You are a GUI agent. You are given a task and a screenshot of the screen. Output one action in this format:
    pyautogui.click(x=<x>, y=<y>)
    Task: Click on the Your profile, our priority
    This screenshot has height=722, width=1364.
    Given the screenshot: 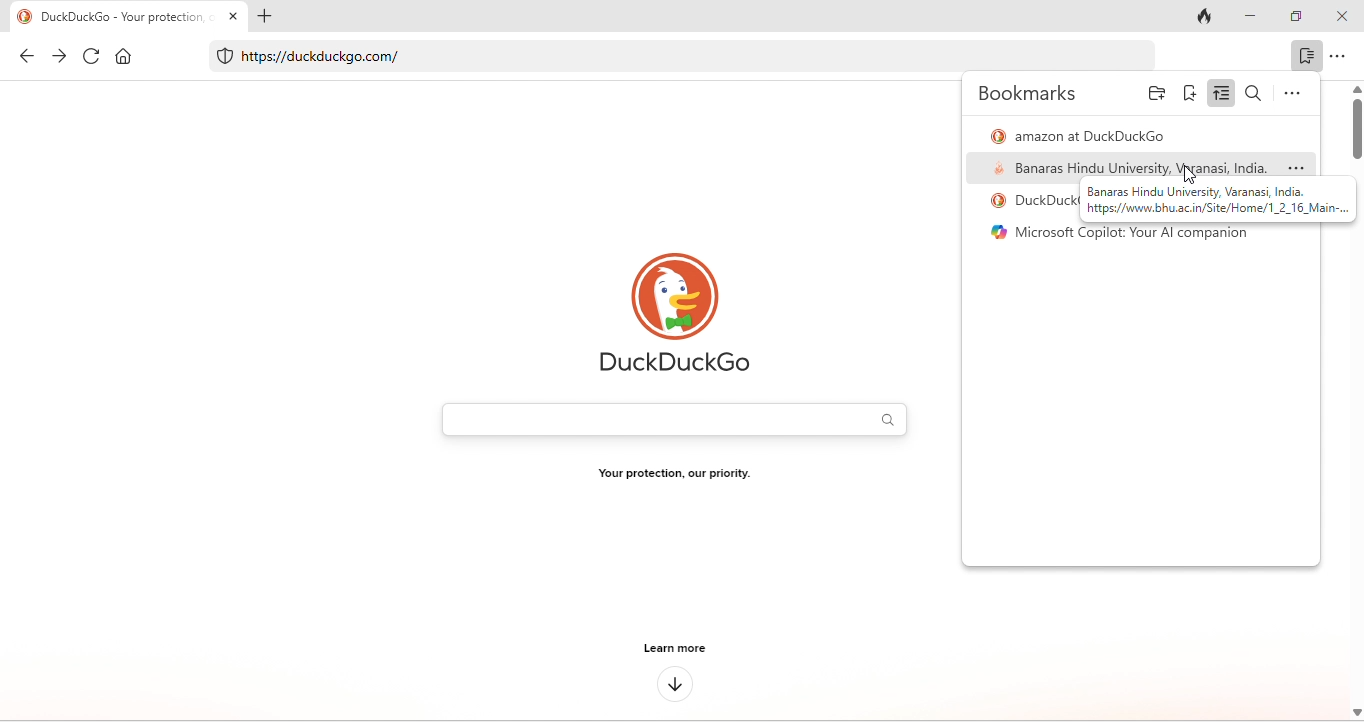 What is the action you would take?
    pyautogui.click(x=676, y=477)
    